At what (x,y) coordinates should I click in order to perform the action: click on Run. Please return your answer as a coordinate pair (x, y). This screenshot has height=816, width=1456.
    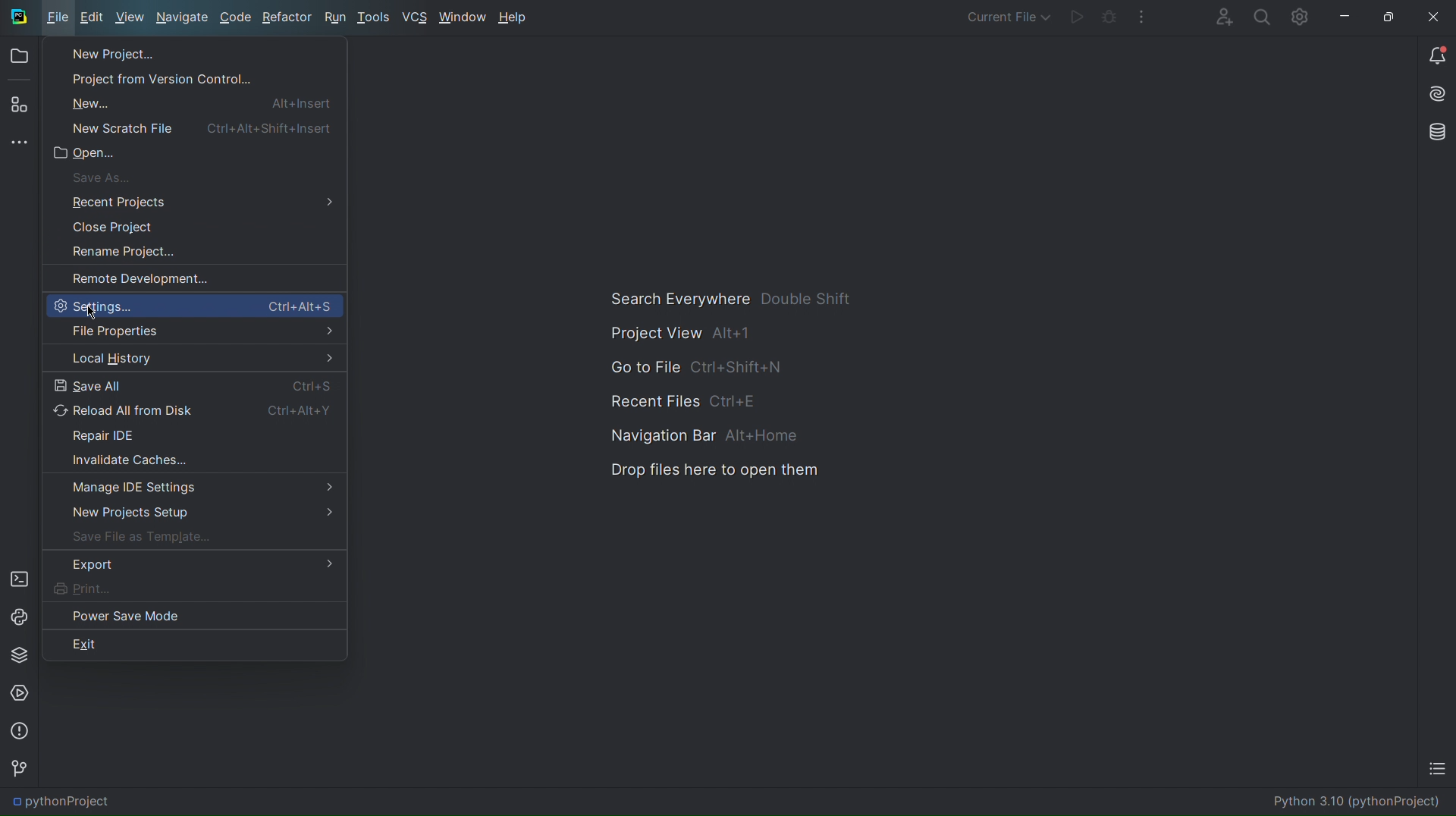
    Looking at the image, I should click on (335, 17).